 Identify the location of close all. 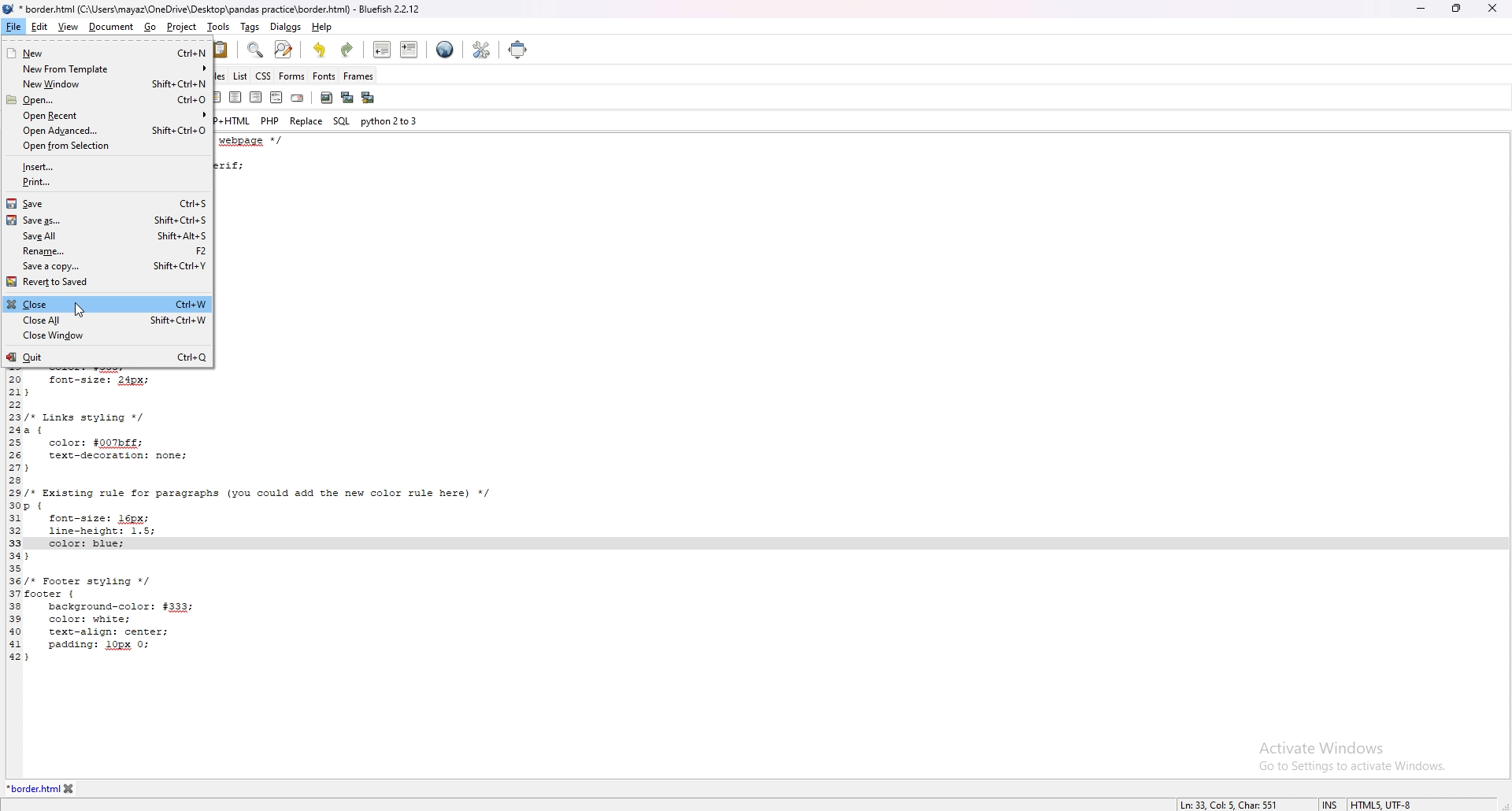
(29, 320).